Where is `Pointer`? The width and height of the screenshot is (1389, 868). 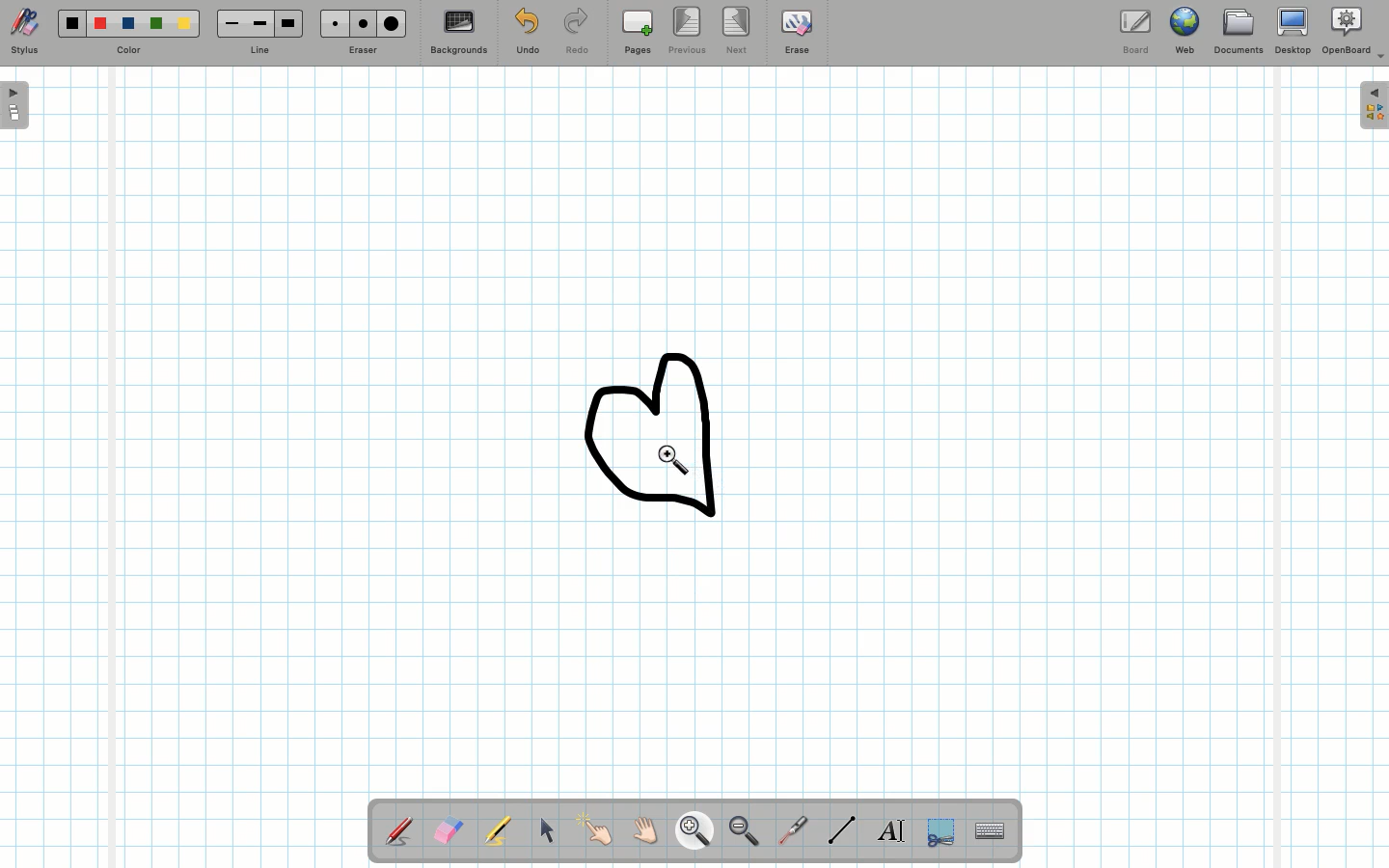
Pointer is located at coordinates (598, 830).